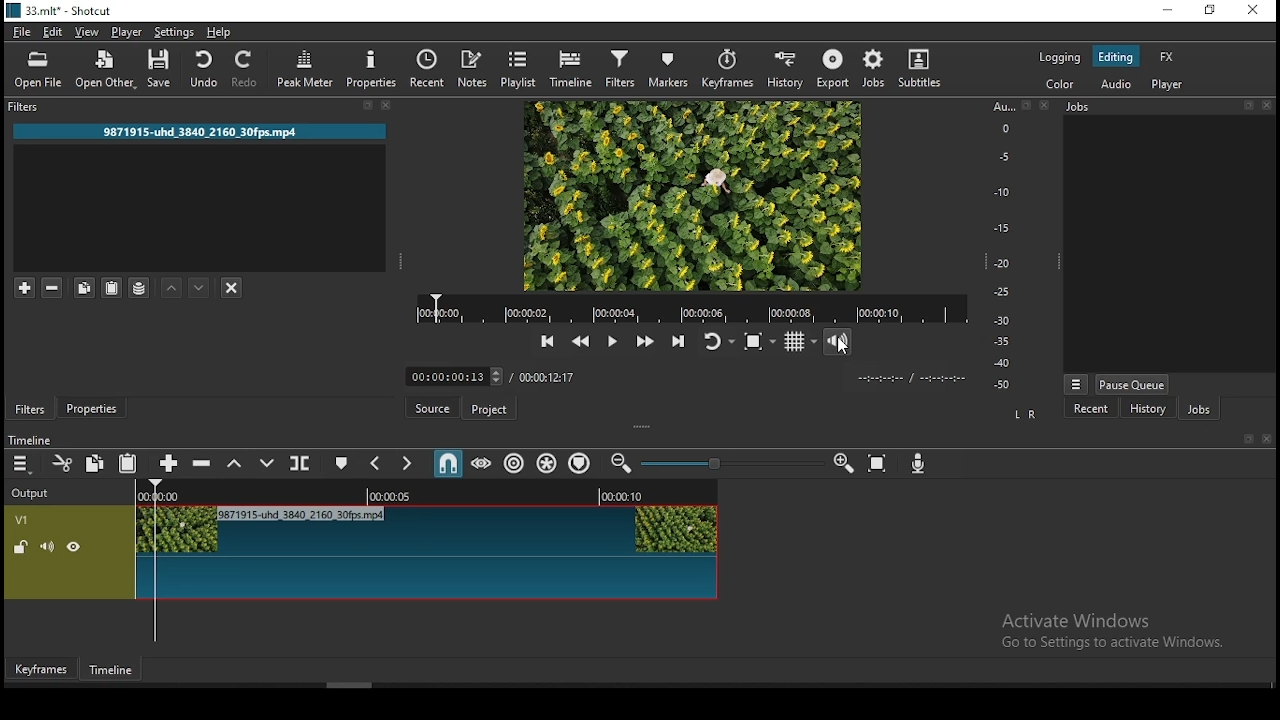 This screenshot has width=1280, height=720. Describe the element at coordinates (579, 464) in the screenshot. I see `ripple markers` at that location.